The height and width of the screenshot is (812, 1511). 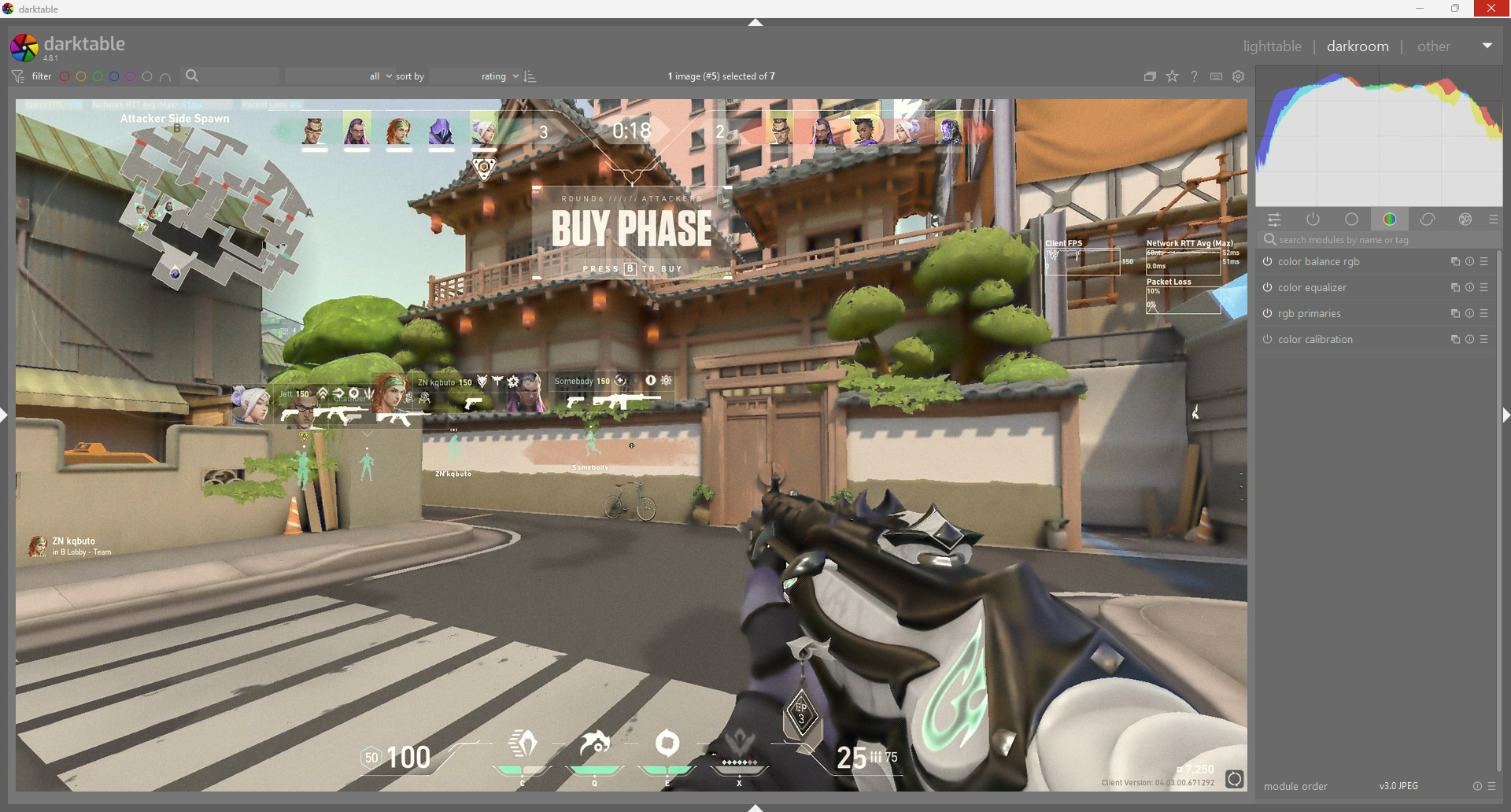 I want to click on show, so click(x=756, y=806).